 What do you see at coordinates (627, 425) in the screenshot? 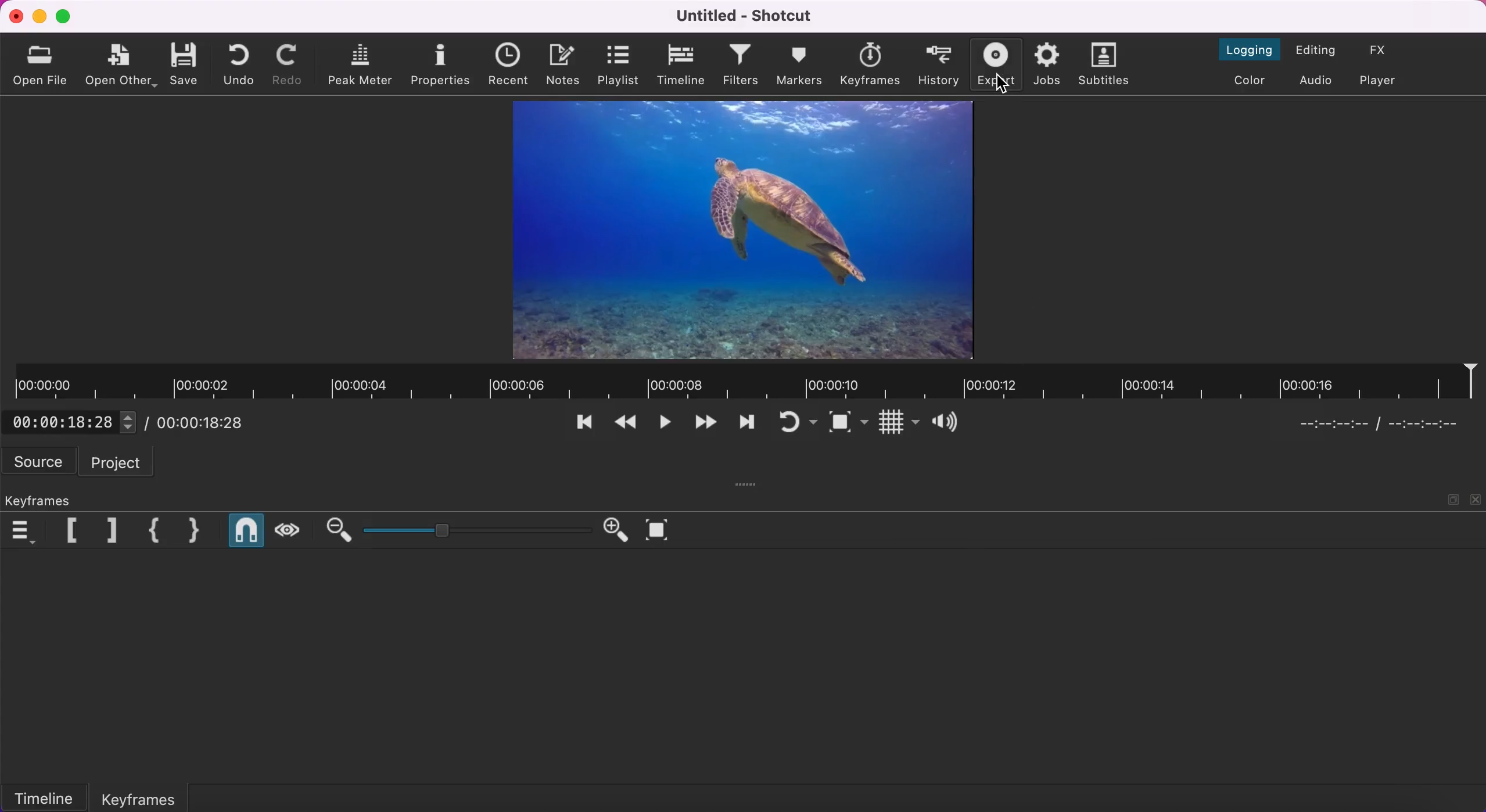
I see `play quickly backwards` at bounding box center [627, 425].